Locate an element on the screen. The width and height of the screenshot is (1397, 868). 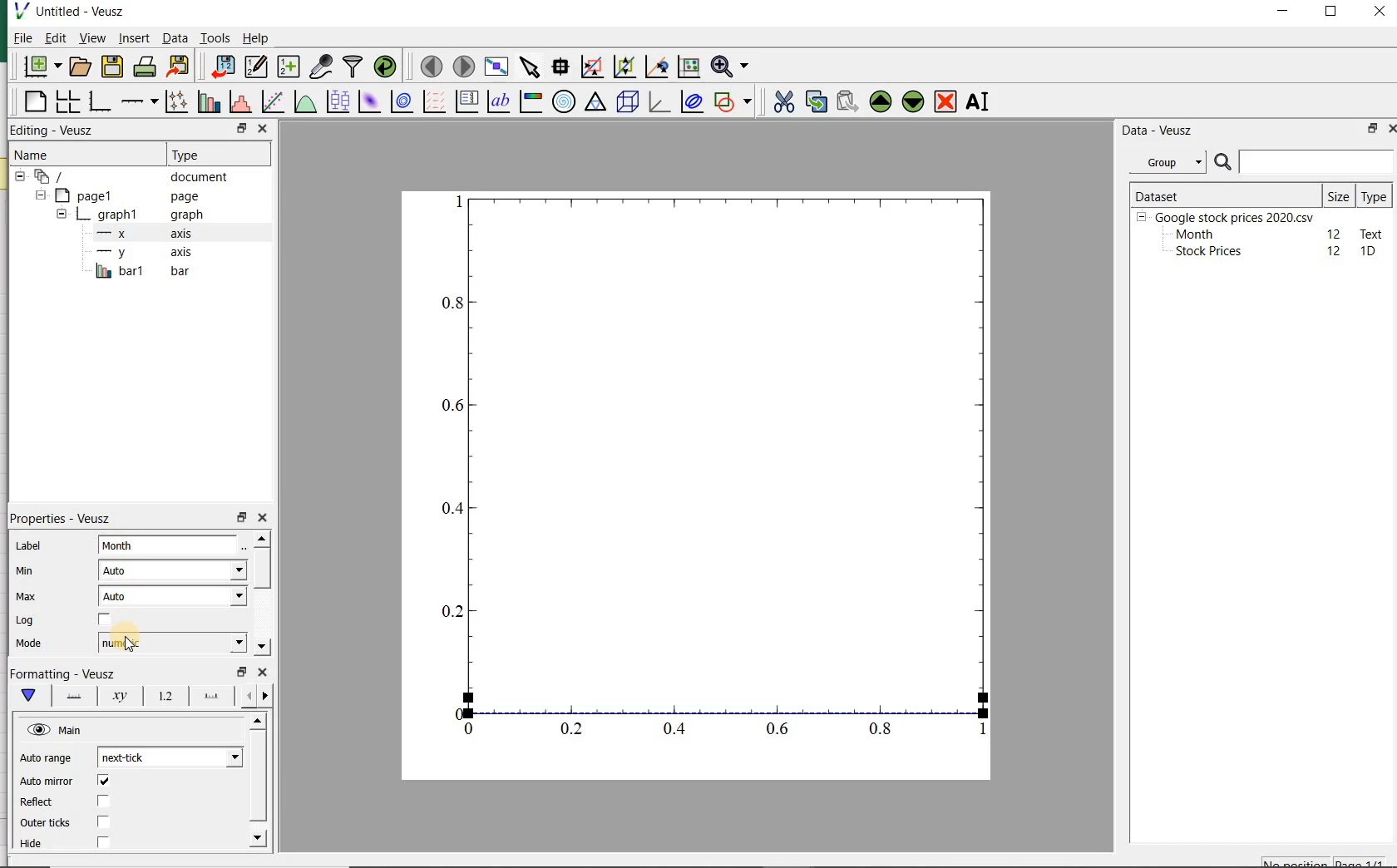
arrange graphs in a grid is located at coordinates (66, 102).